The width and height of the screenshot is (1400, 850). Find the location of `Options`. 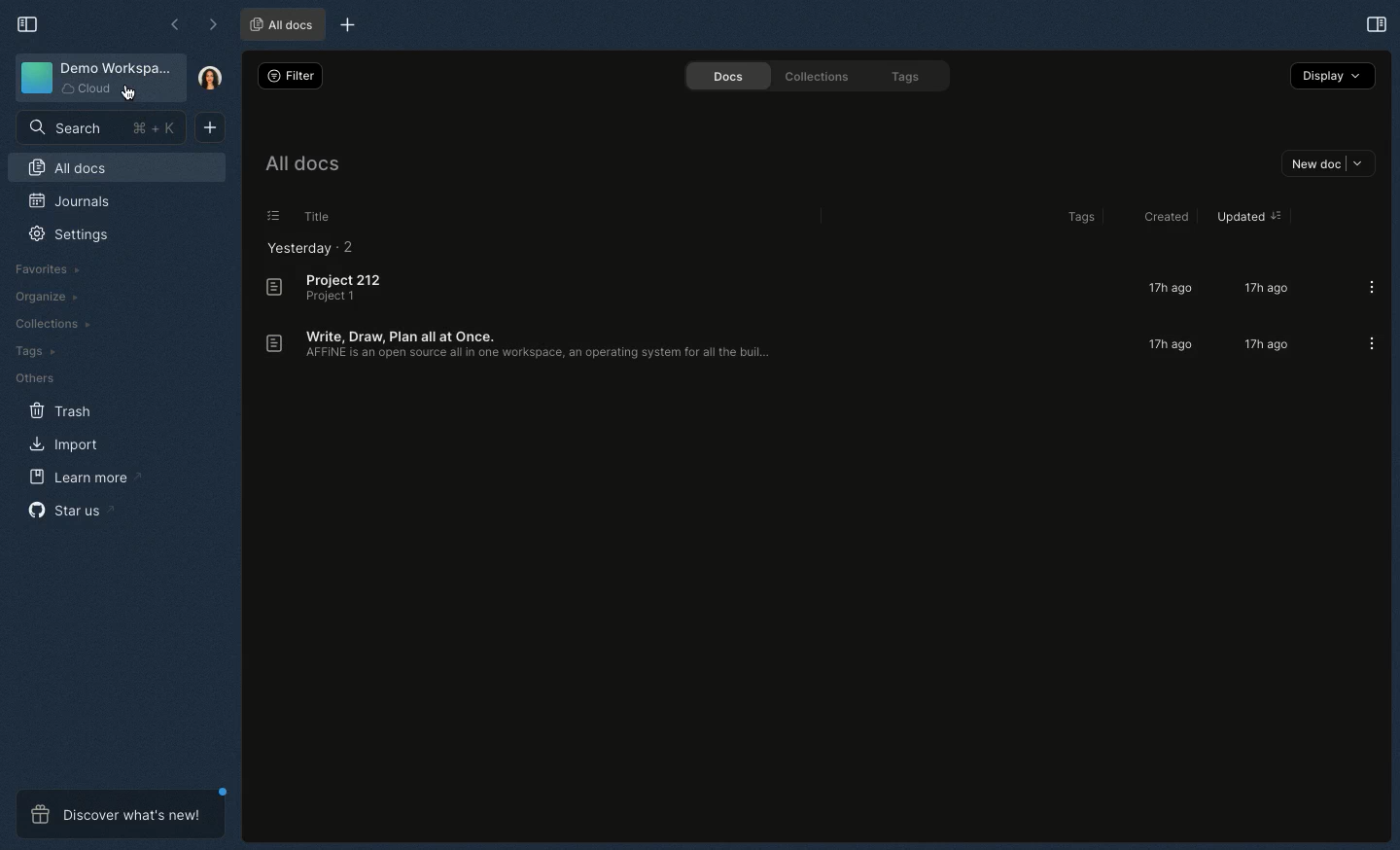

Options is located at coordinates (1366, 287).